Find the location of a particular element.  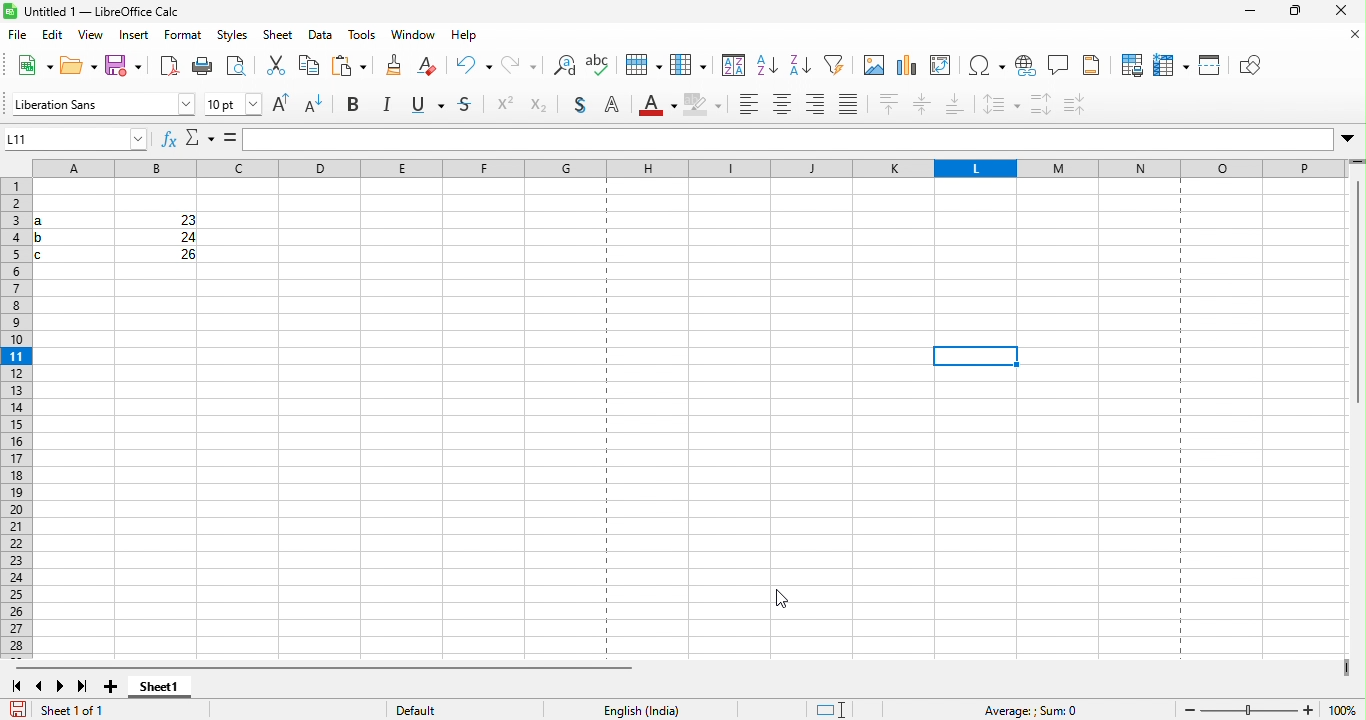

center vertically is located at coordinates (923, 106).